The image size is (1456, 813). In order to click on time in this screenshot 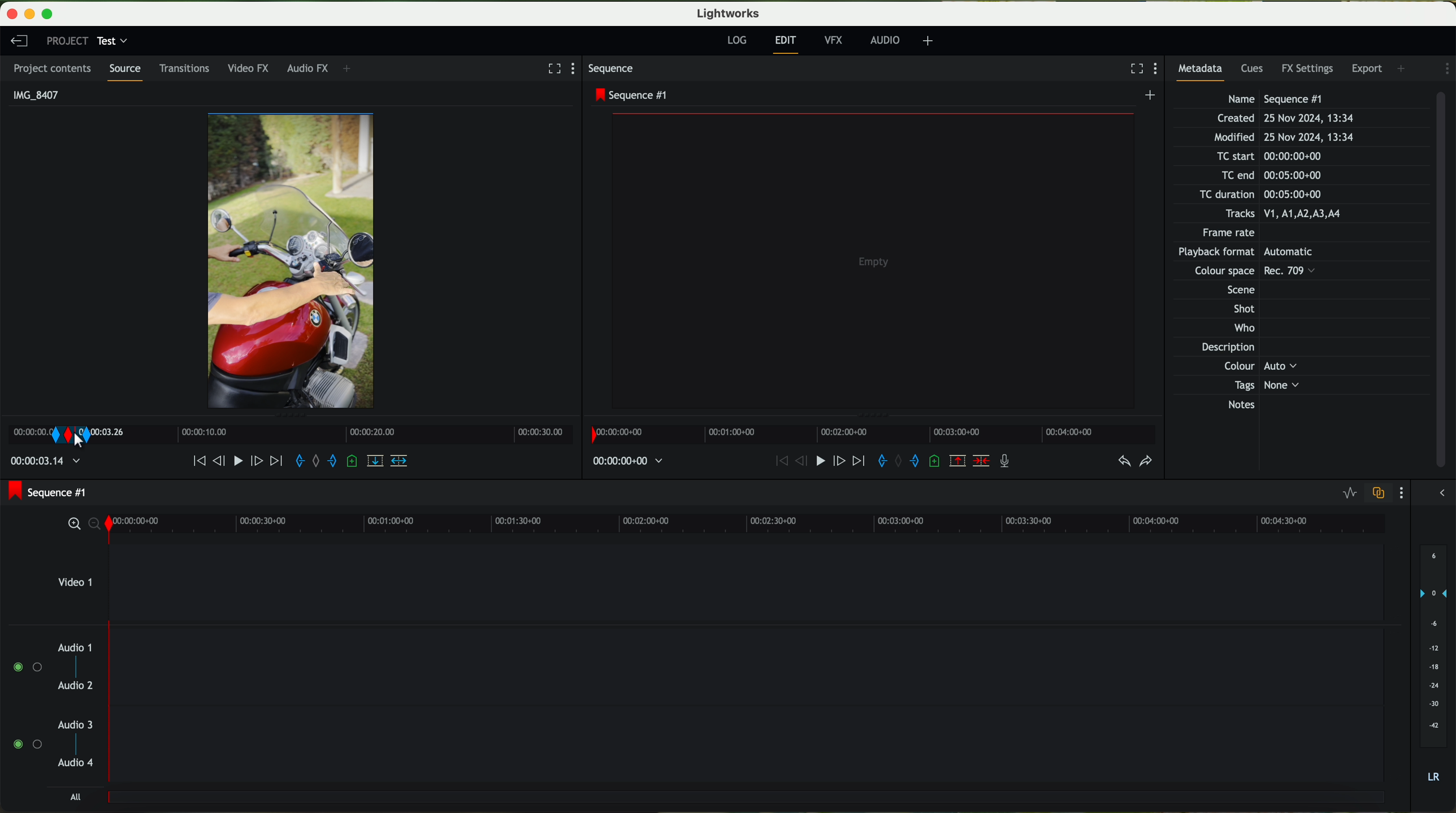, I will do `click(630, 461)`.